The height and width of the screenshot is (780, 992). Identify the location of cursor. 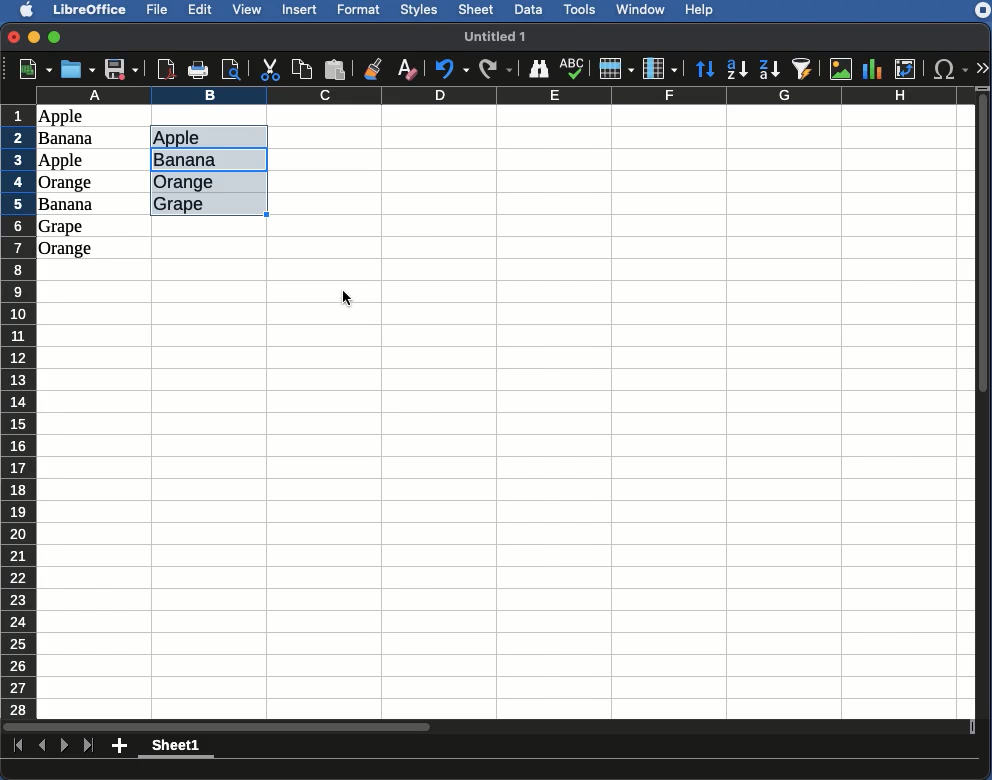
(347, 298).